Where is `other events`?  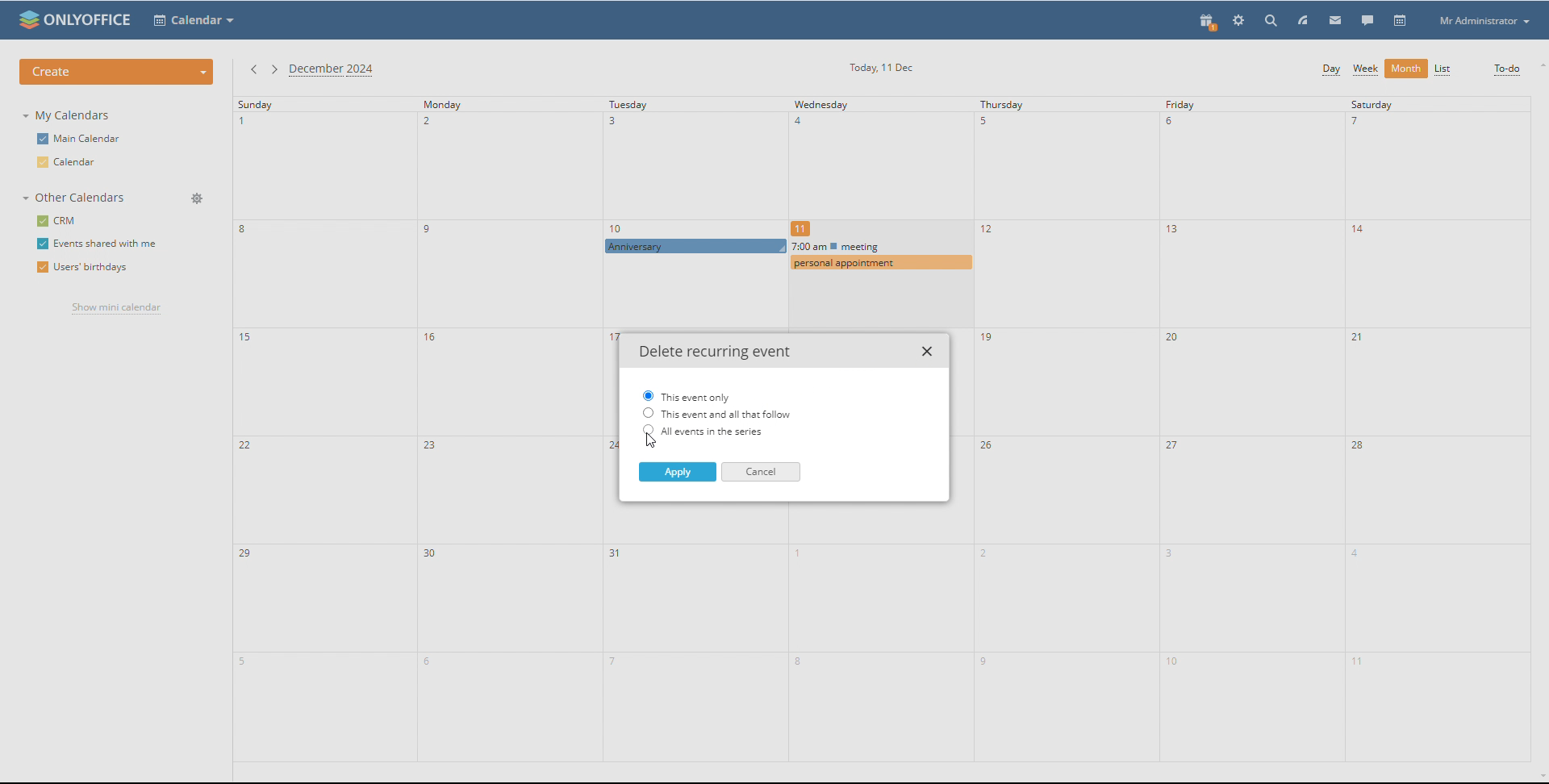
other events is located at coordinates (879, 254).